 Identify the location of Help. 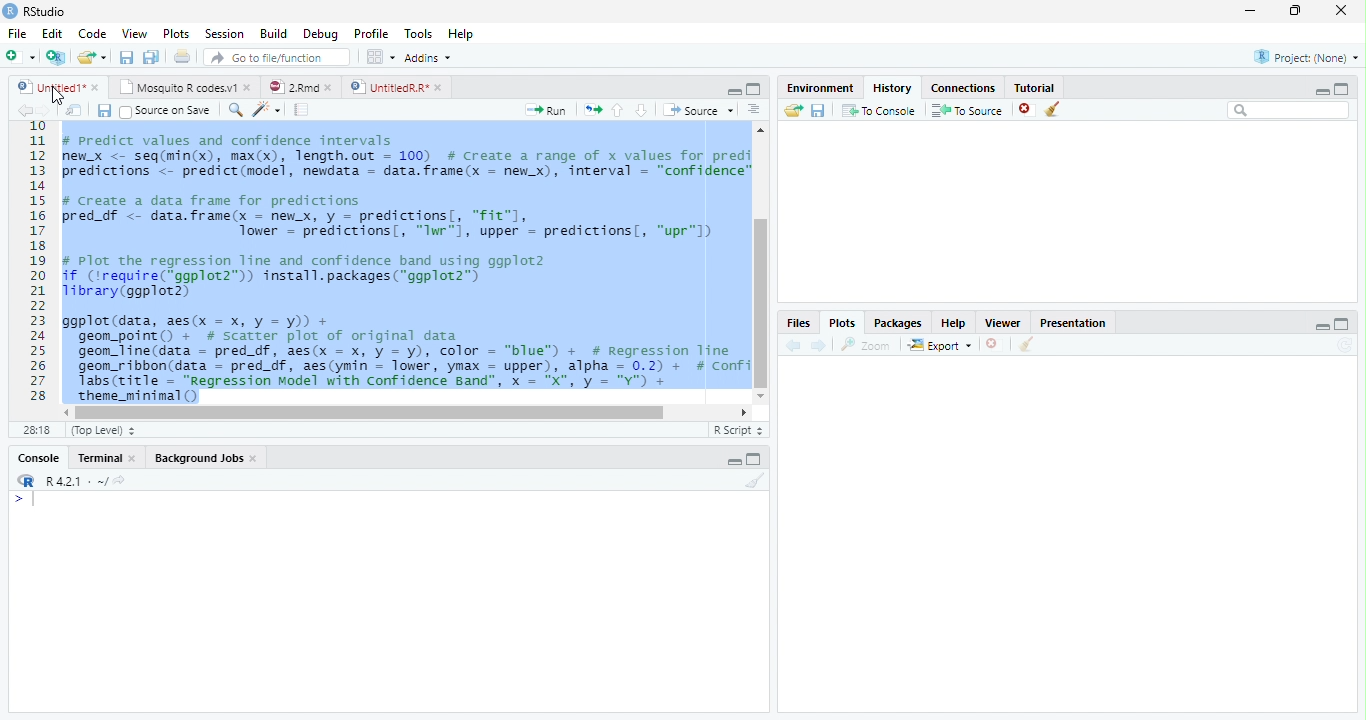
(462, 35).